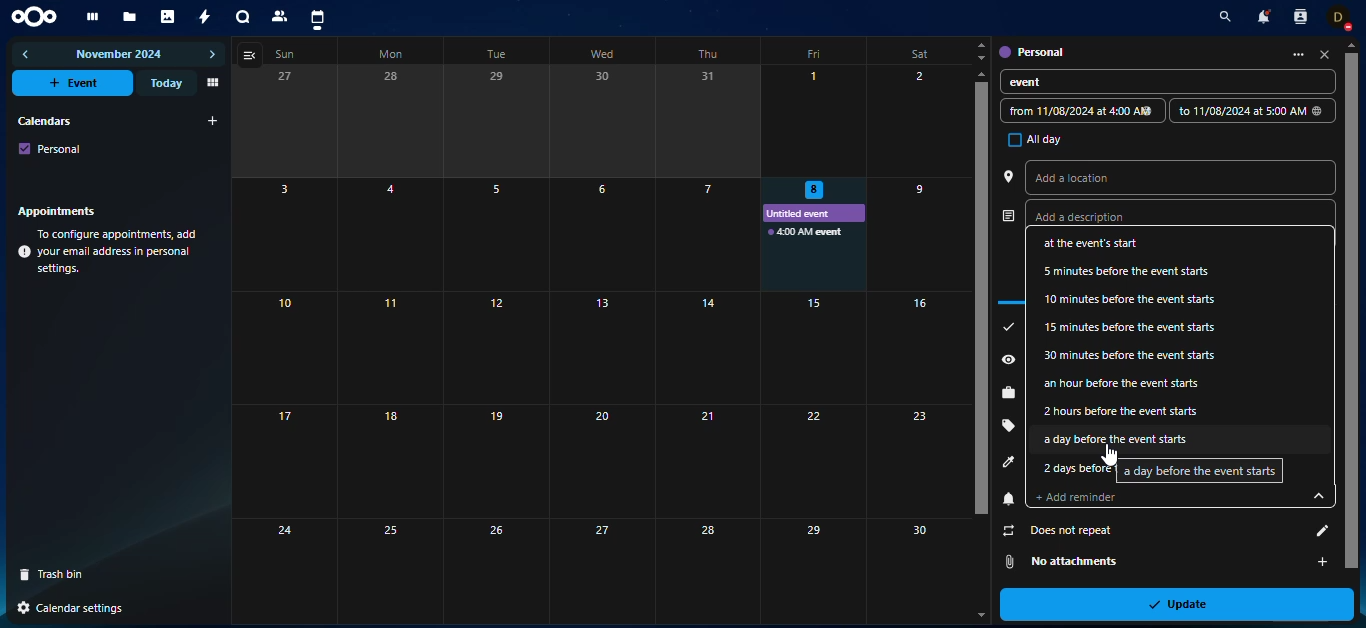 The width and height of the screenshot is (1366, 628). I want to click on 28, so click(707, 570).